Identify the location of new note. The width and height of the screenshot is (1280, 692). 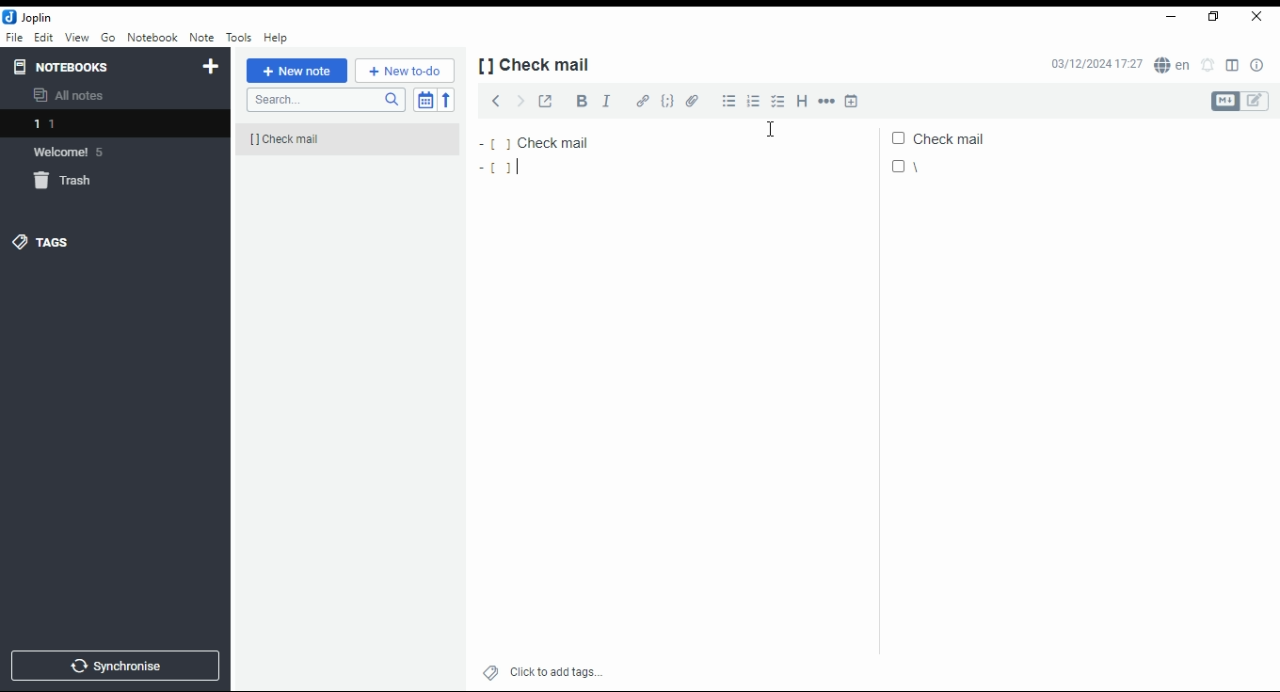
(297, 71).